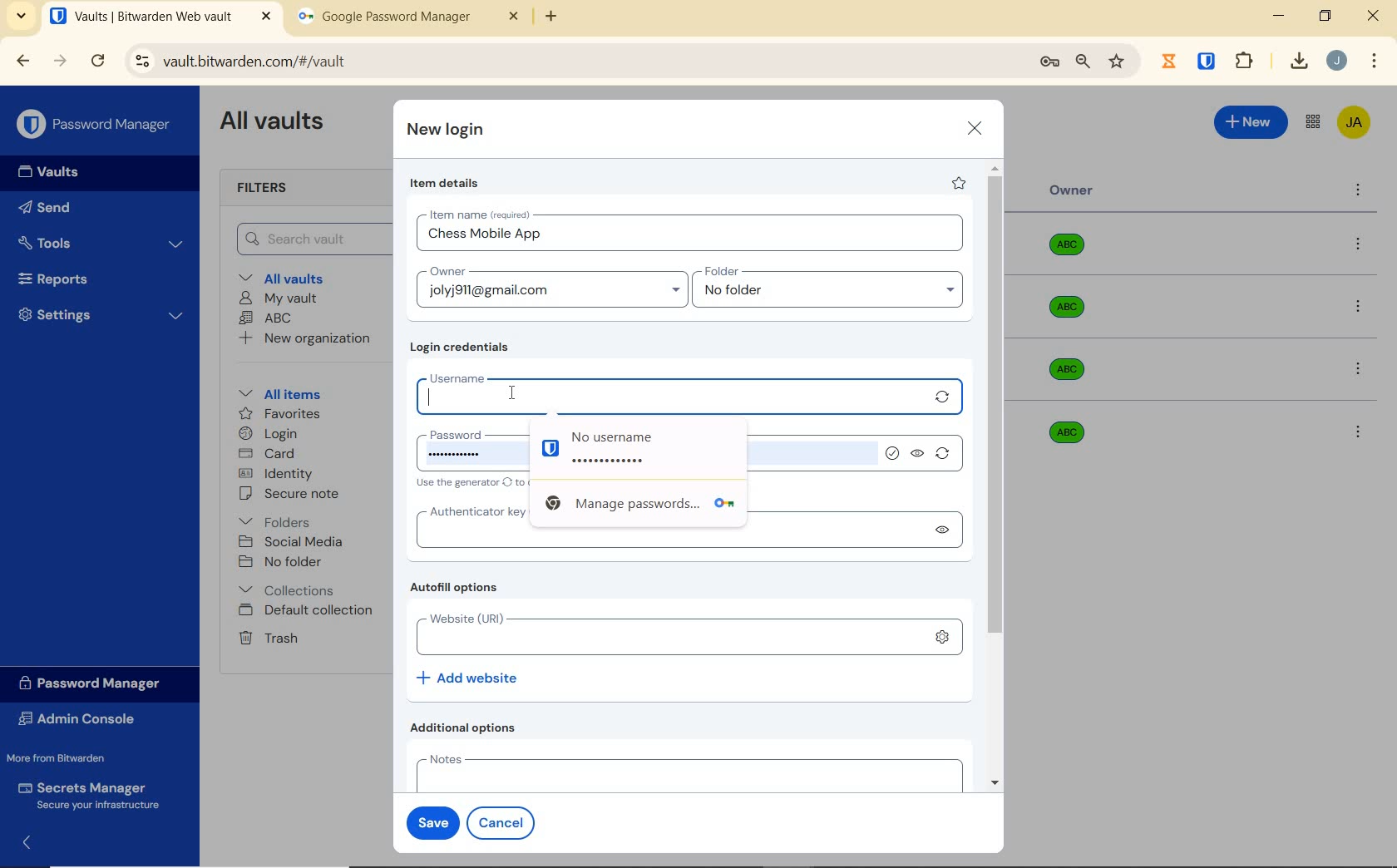 The height and width of the screenshot is (868, 1397). What do you see at coordinates (283, 563) in the screenshot?
I see `No folder` at bounding box center [283, 563].